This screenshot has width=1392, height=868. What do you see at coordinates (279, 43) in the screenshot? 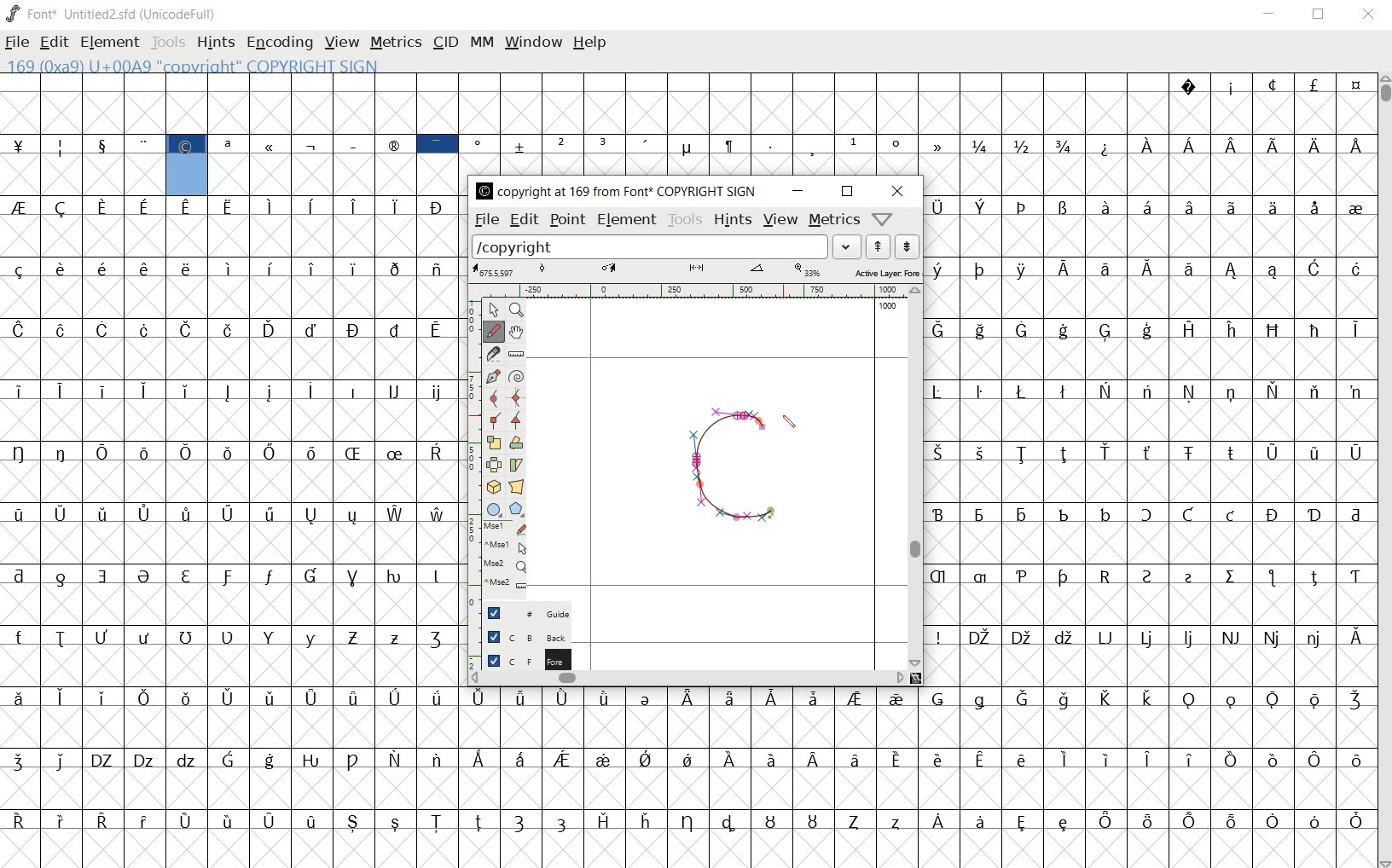
I see `Encoding` at bounding box center [279, 43].